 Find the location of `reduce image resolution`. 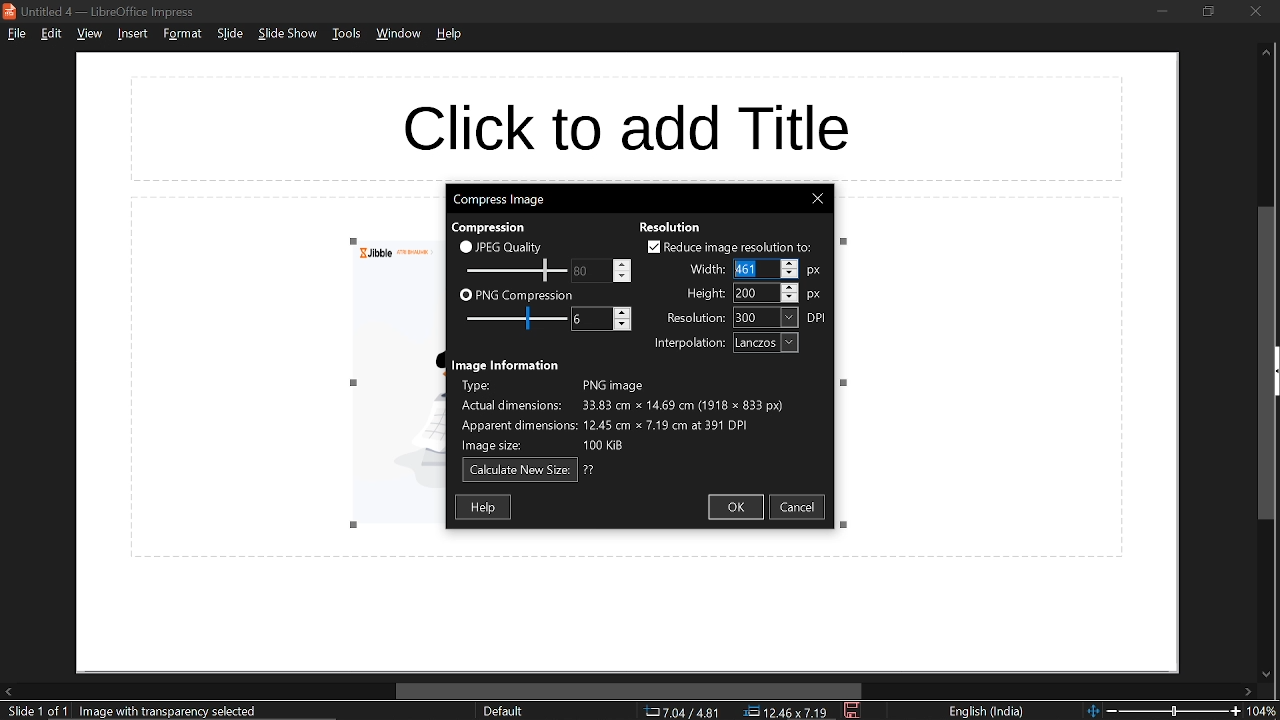

reduce image resolution is located at coordinates (740, 247).